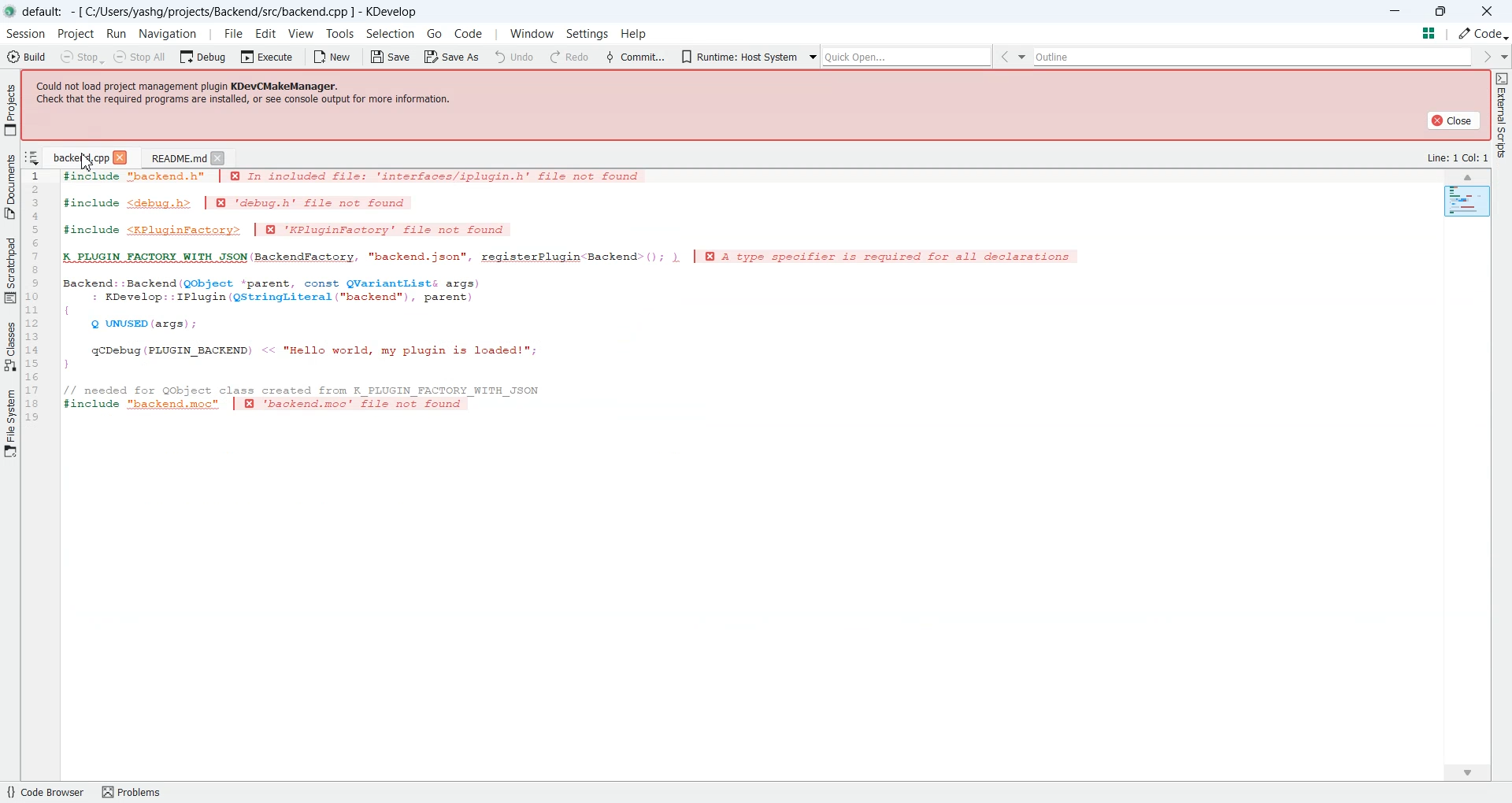 The height and width of the screenshot is (803, 1512). Describe the element at coordinates (79, 155) in the screenshot. I see `backend file selected` at that location.